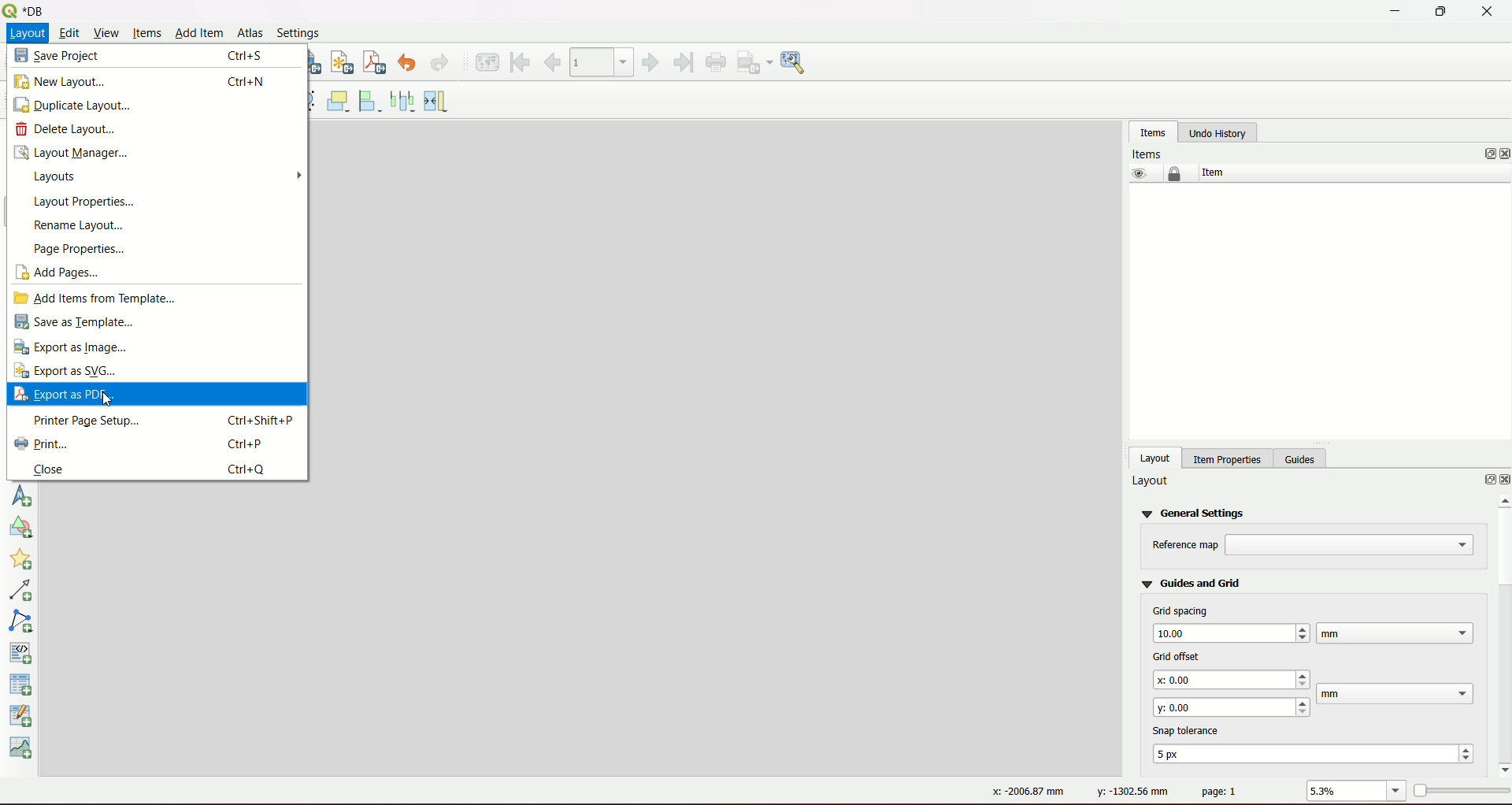  Describe the element at coordinates (602, 61) in the screenshot. I see `atlas toolbar` at that location.